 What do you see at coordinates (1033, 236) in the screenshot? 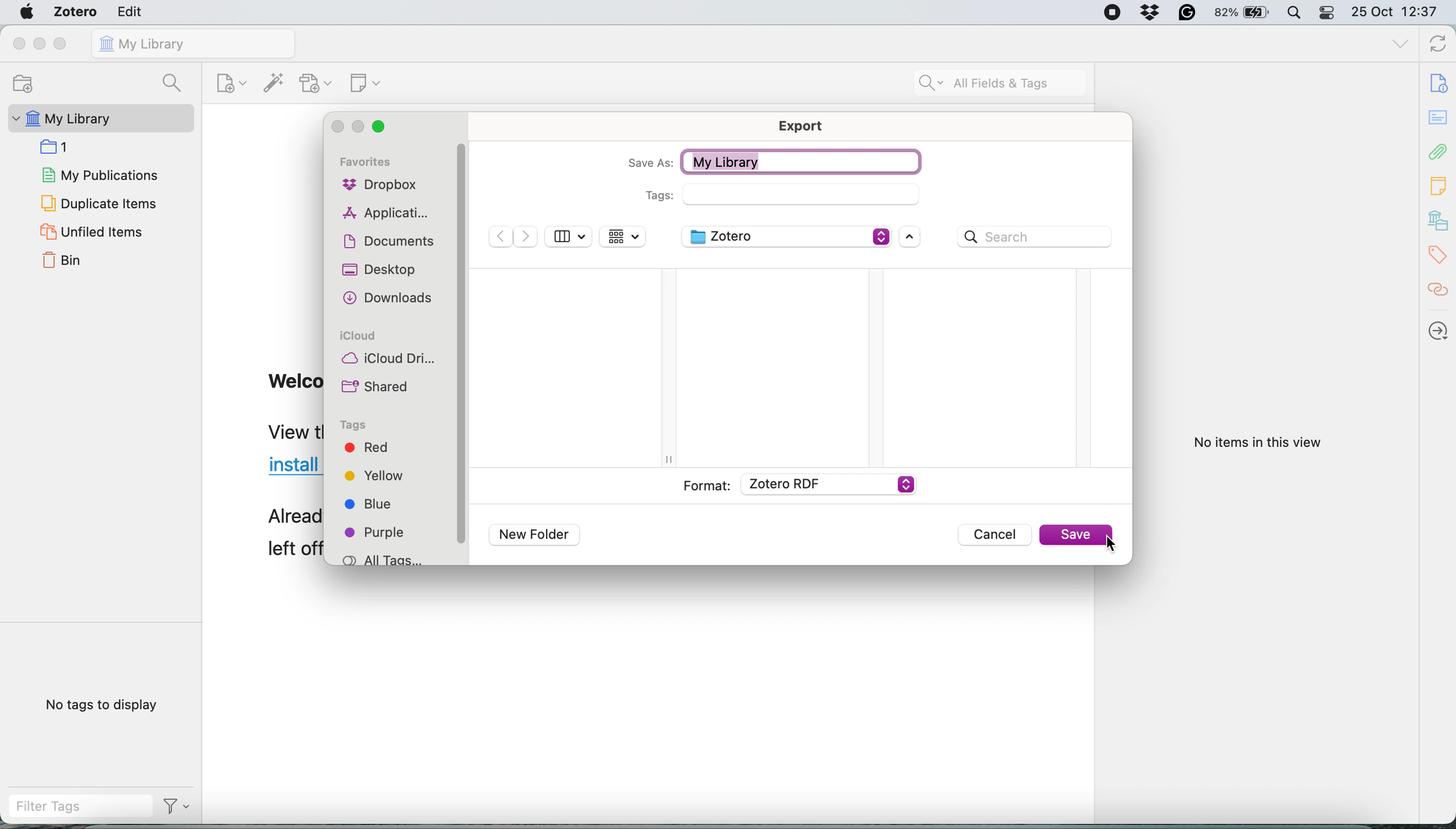
I see `Search` at bounding box center [1033, 236].